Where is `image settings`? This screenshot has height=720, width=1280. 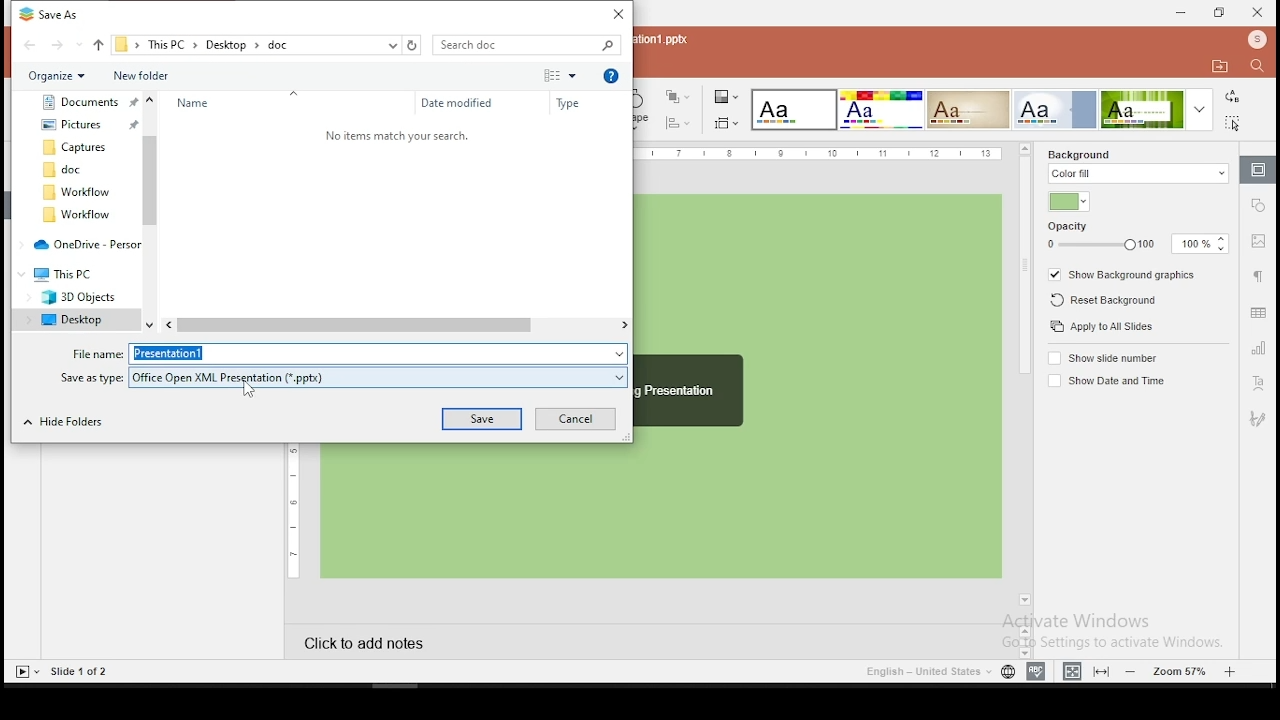
image settings is located at coordinates (1258, 243).